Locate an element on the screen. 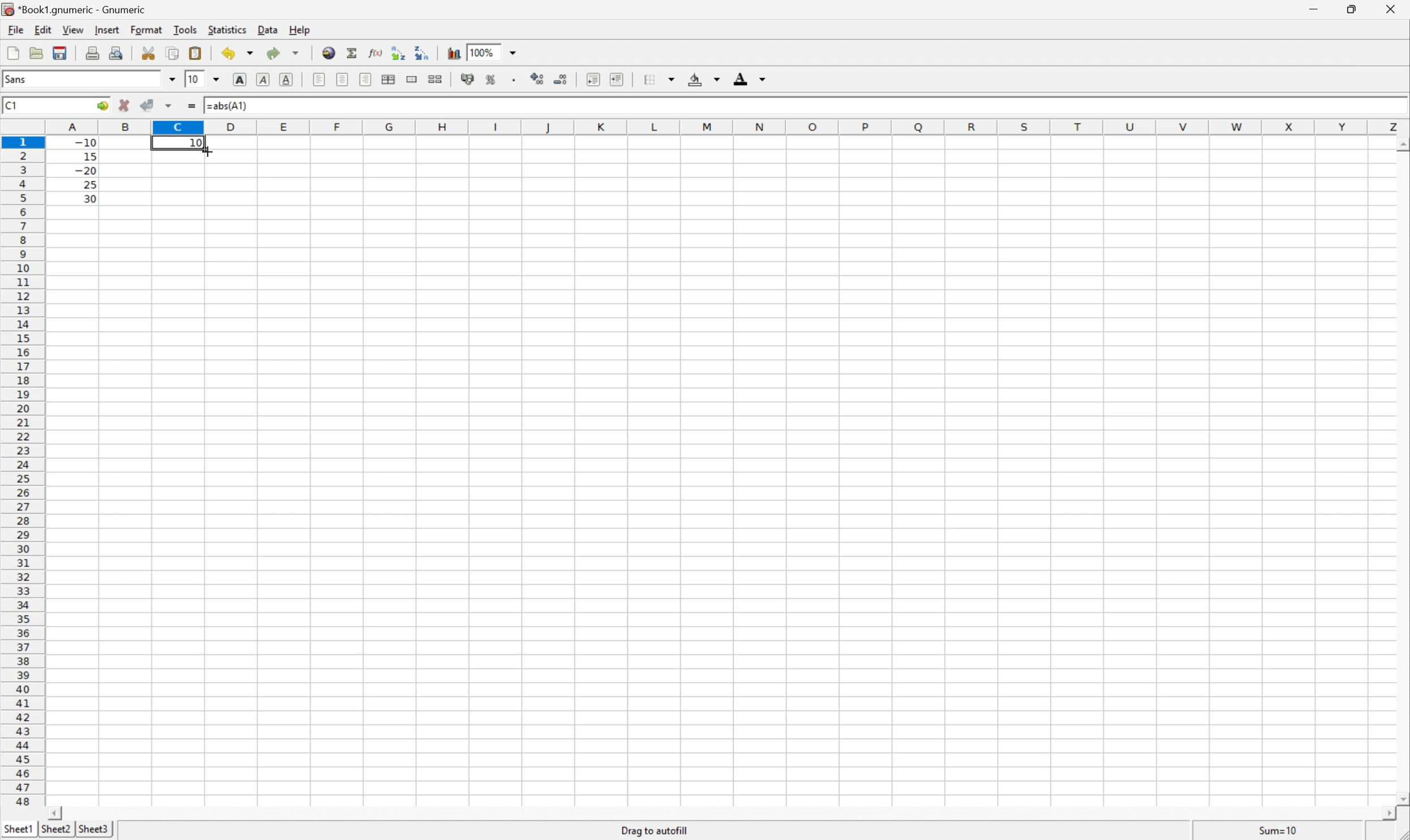  Help is located at coordinates (300, 31).